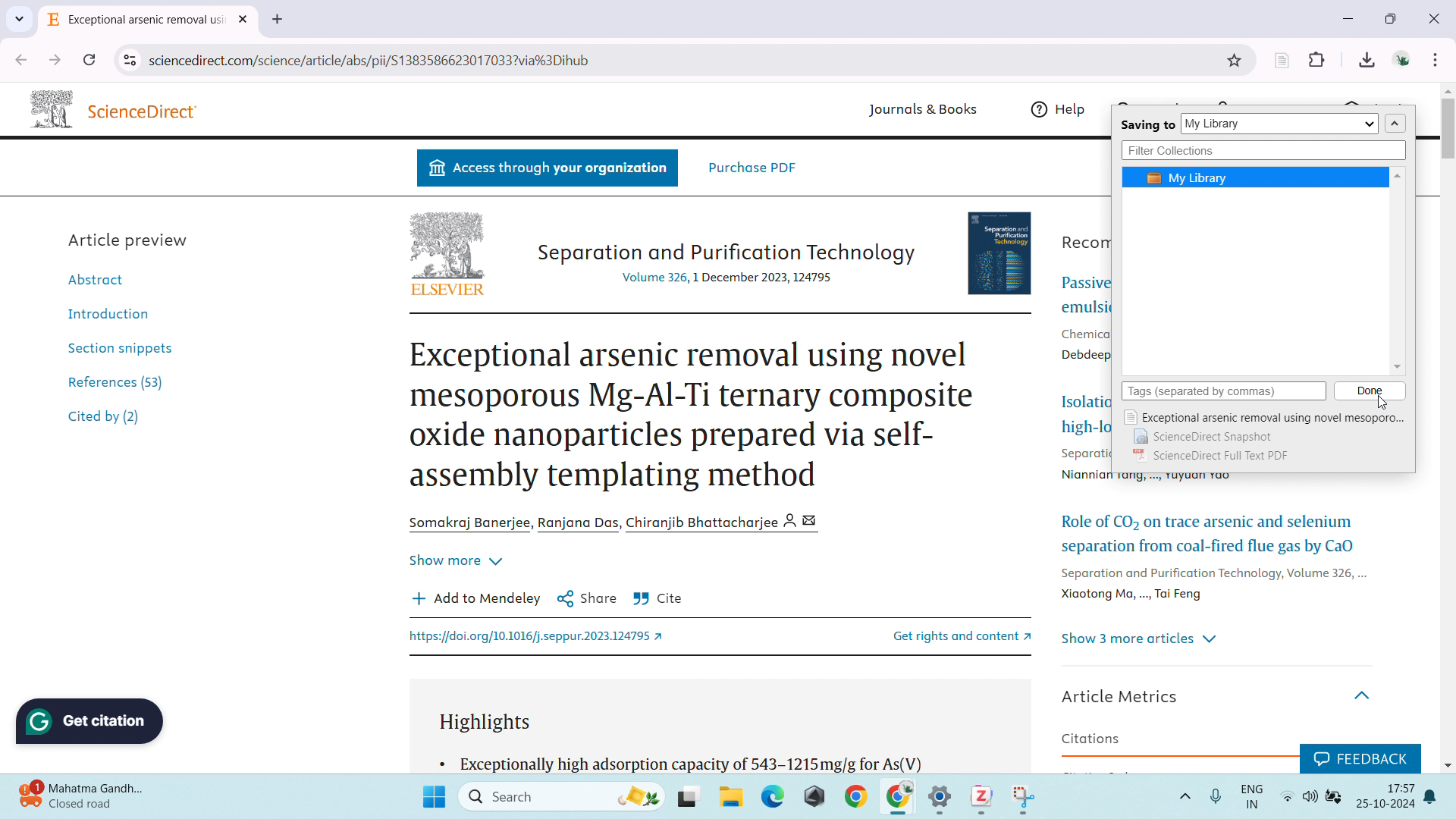 This screenshot has width=1456, height=819. What do you see at coordinates (447, 291) in the screenshot?
I see `ELSEVIER` at bounding box center [447, 291].